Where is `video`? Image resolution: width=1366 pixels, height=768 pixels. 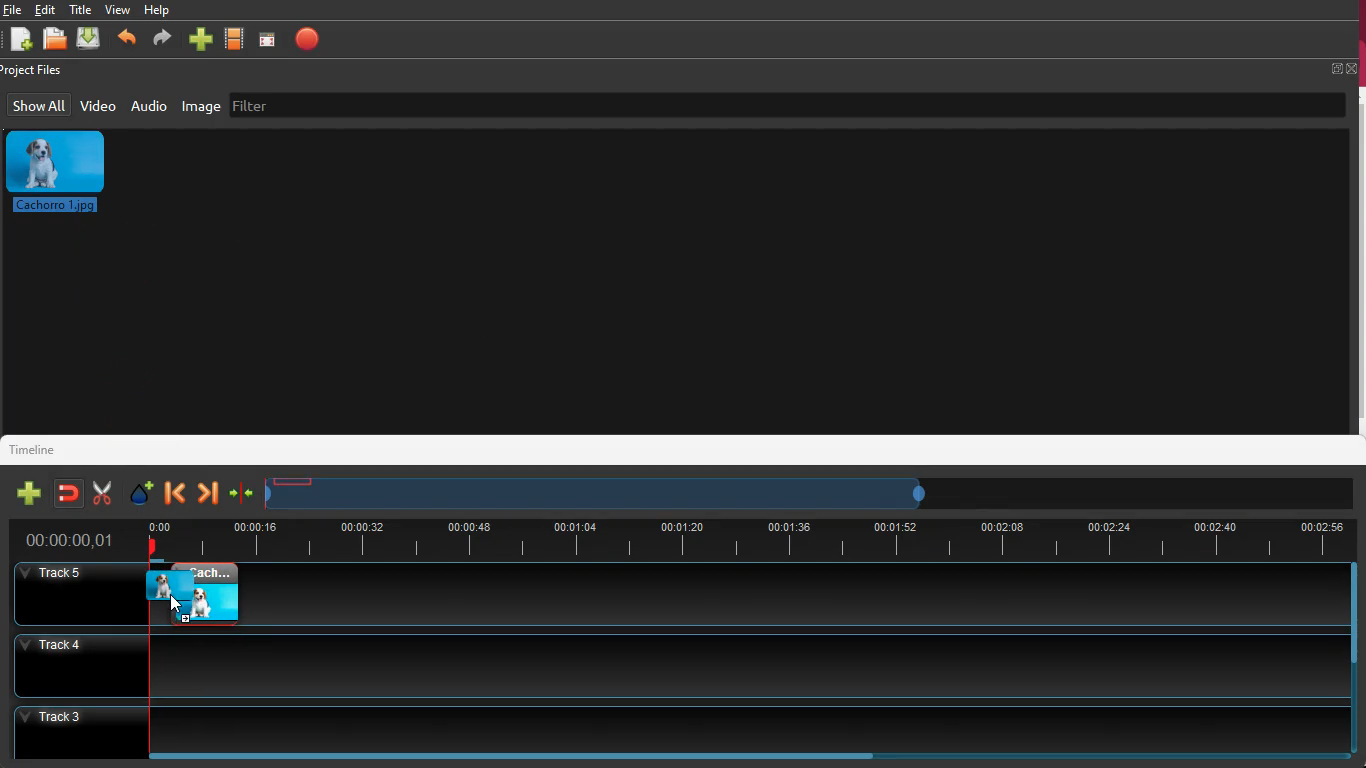 video is located at coordinates (236, 40).